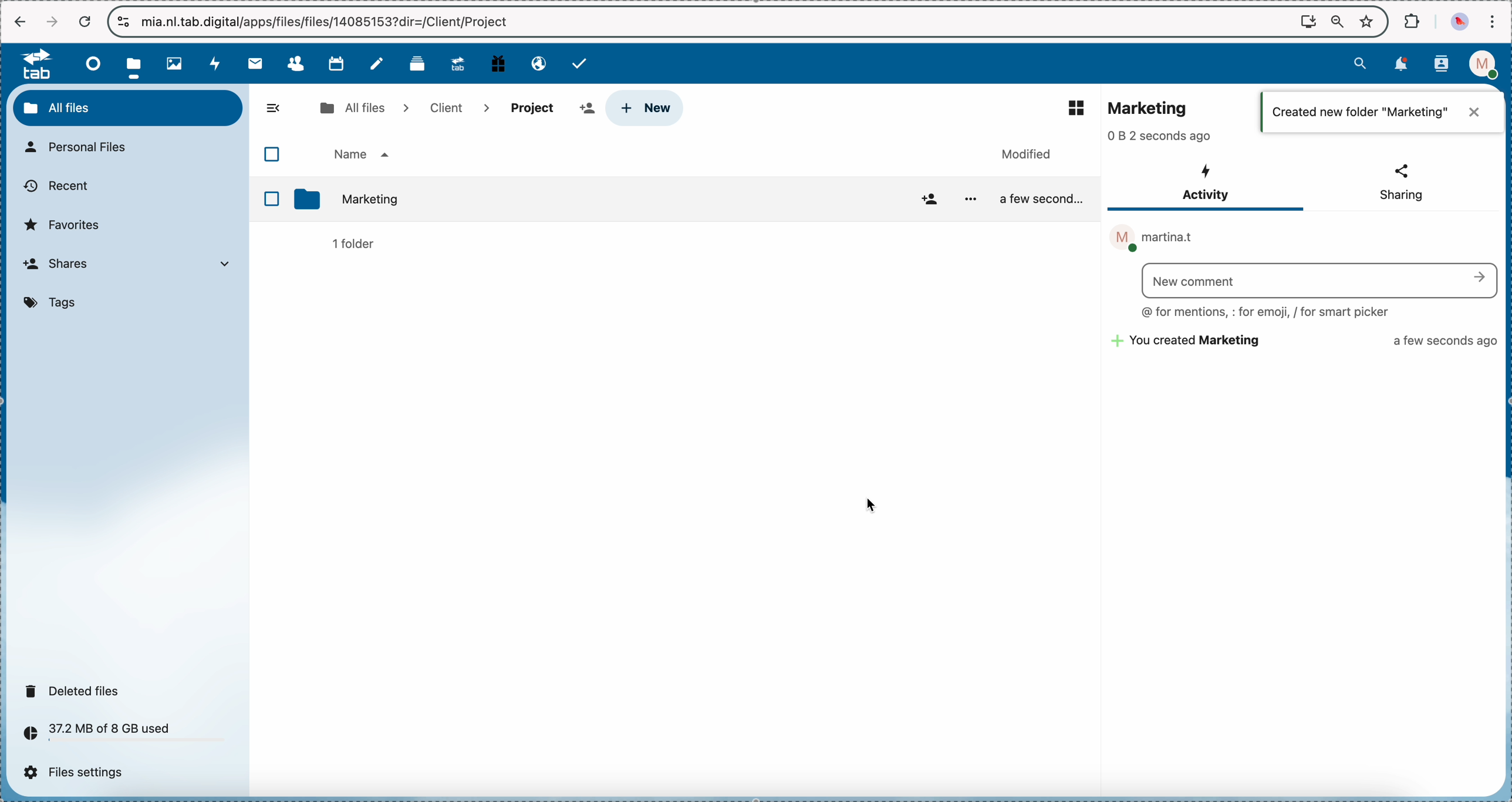 This screenshot has height=802, width=1512. What do you see at coordinates (132, 265) in the screenshot?
I see `shares` at bounding box center [132, 265].